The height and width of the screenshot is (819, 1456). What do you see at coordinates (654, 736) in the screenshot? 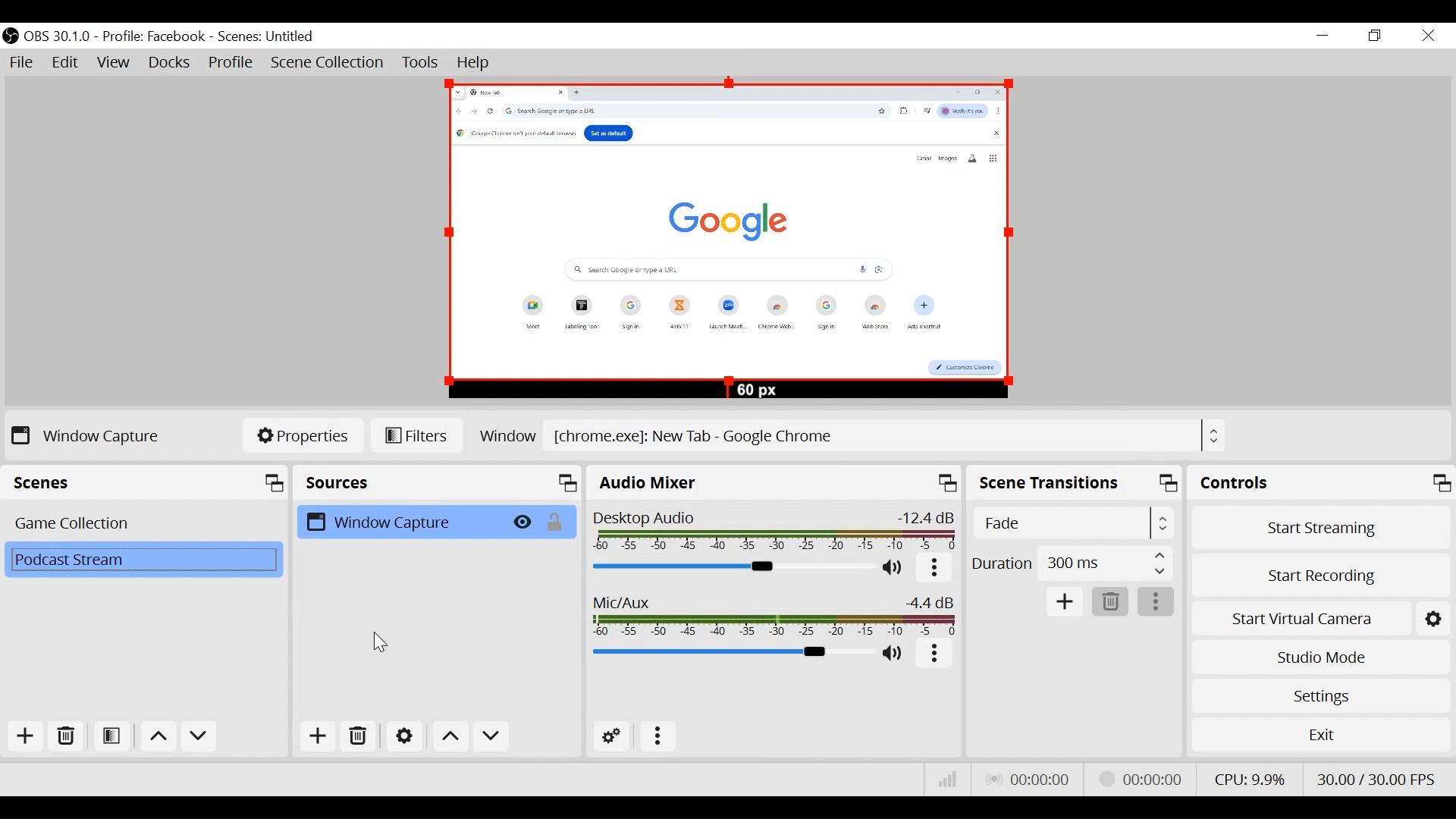
I see `More Options` at bounding box center [654, 736].